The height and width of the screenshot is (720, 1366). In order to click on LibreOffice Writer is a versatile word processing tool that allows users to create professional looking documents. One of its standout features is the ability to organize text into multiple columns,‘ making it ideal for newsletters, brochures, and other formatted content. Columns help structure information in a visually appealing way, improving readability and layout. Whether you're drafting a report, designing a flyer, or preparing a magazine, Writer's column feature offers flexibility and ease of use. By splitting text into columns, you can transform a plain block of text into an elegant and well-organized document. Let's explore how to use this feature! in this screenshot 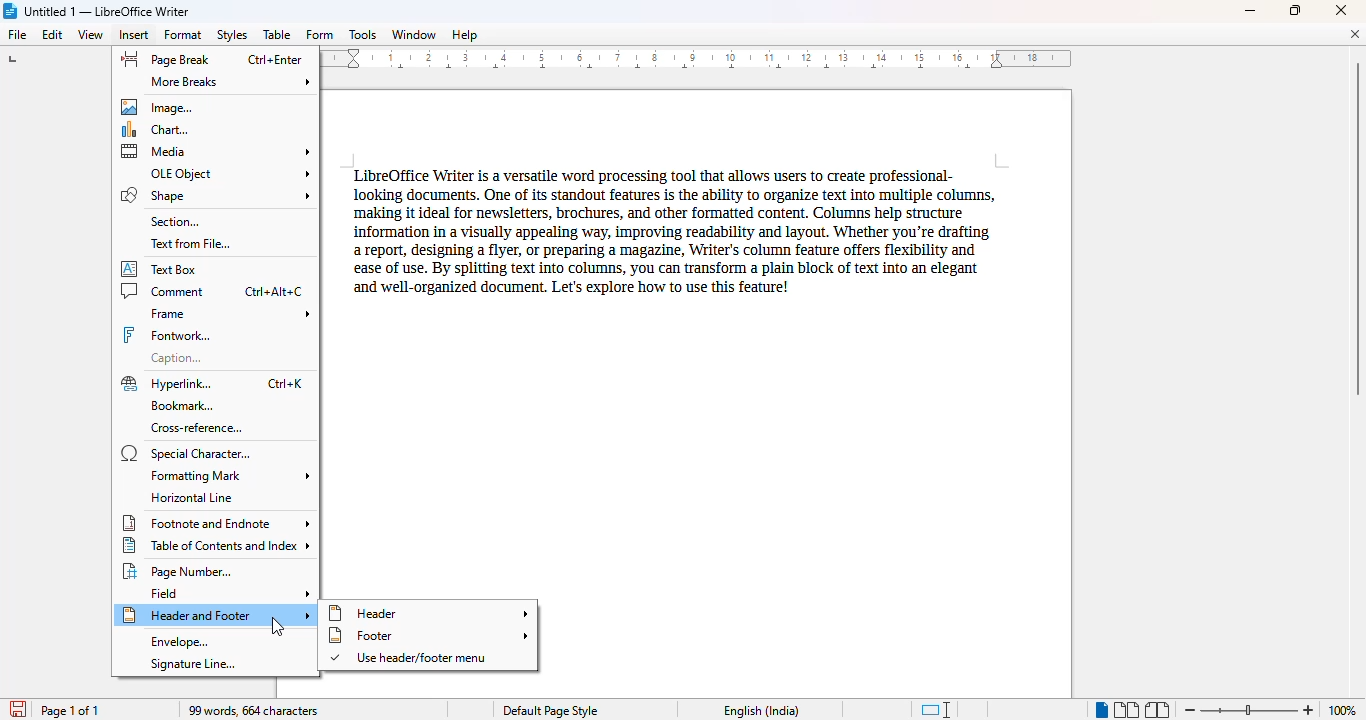, I will do `click(669, 230)`.